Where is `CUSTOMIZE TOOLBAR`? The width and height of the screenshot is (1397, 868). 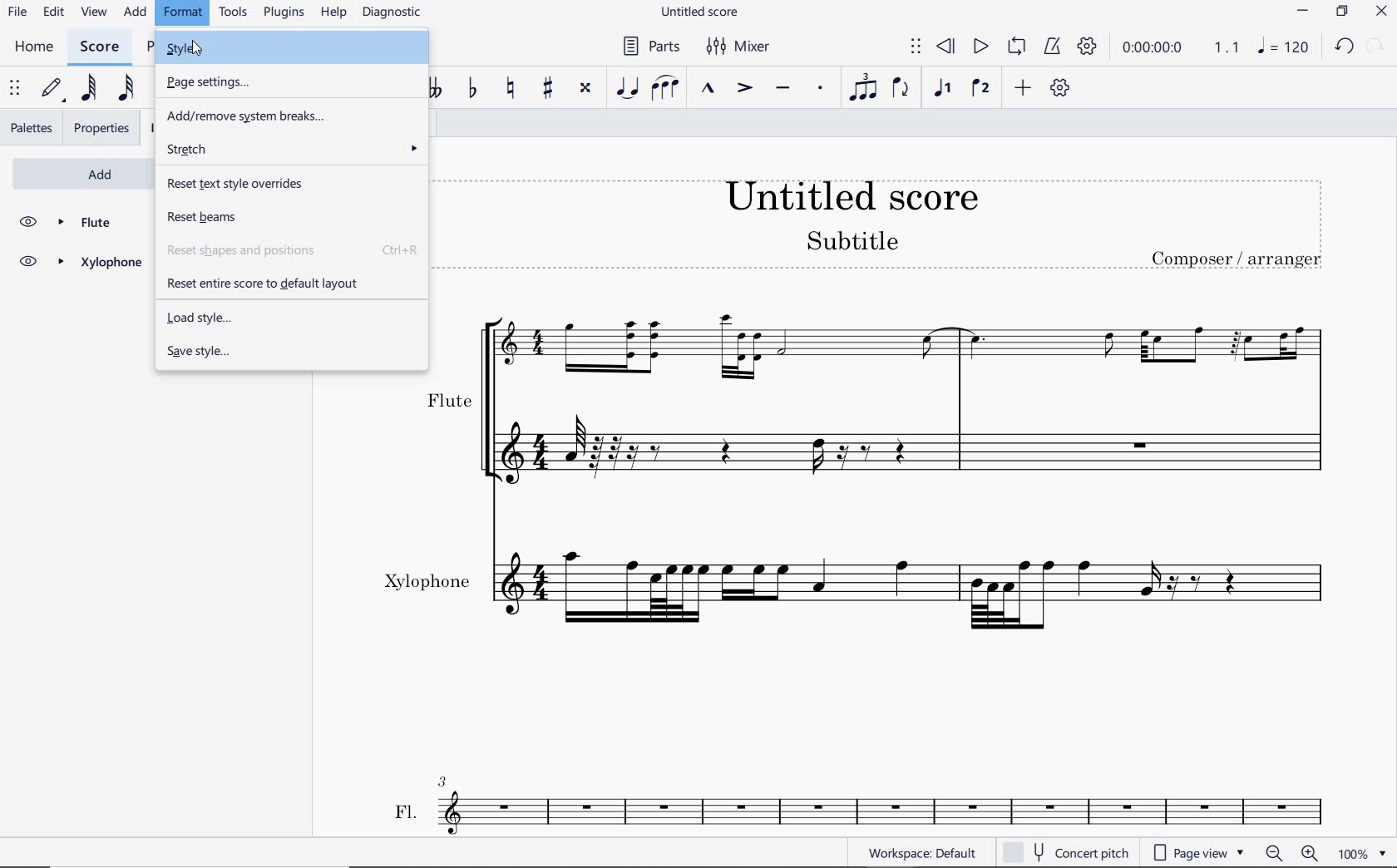 CUSTOMIZE TOOLBAR is located at coordinates (1060, 89).